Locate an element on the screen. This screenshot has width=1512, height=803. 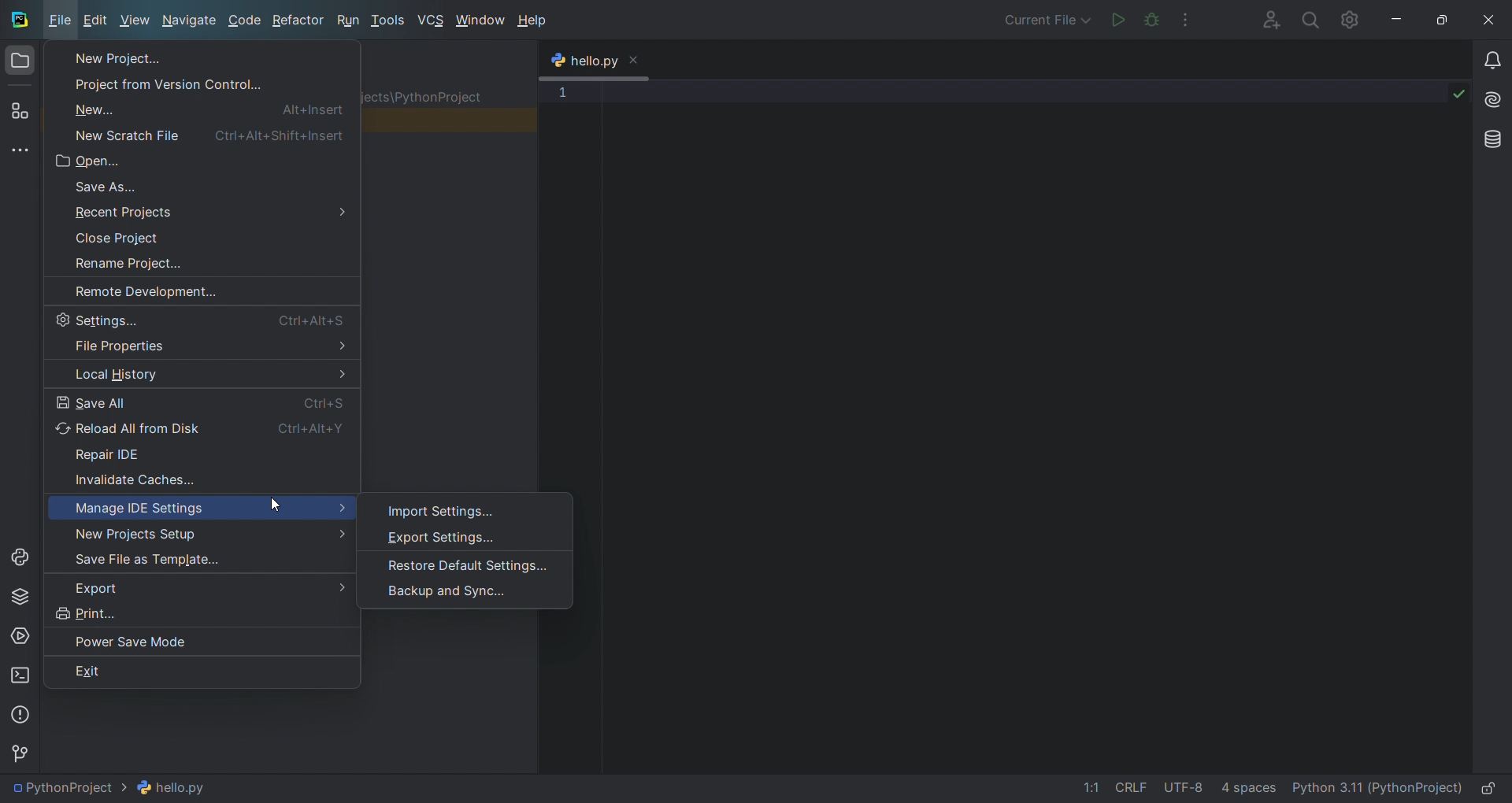
exit is located at coordinates (201, 675).